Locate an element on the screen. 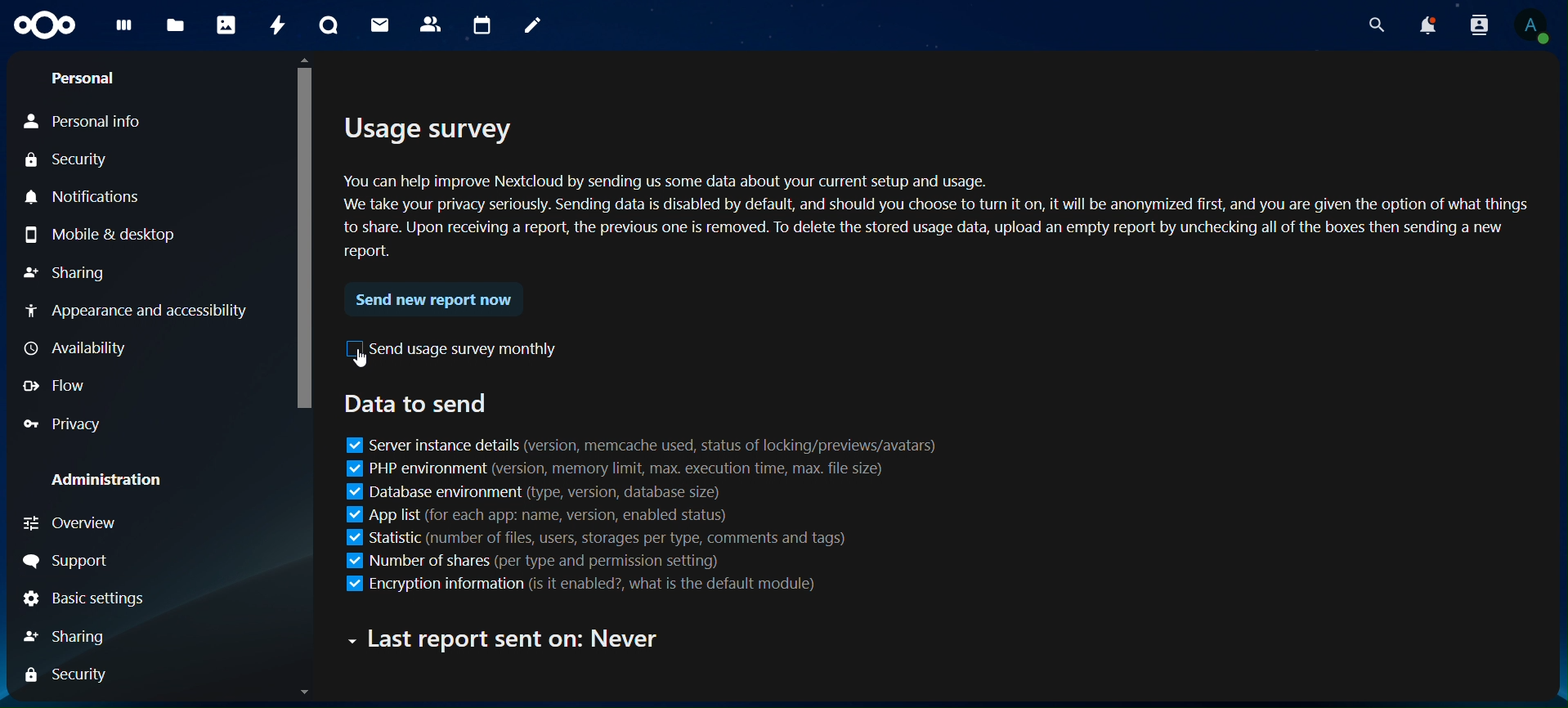 This screenshot has height=708, width=1568. Personal is located at coordinates (82, 78).